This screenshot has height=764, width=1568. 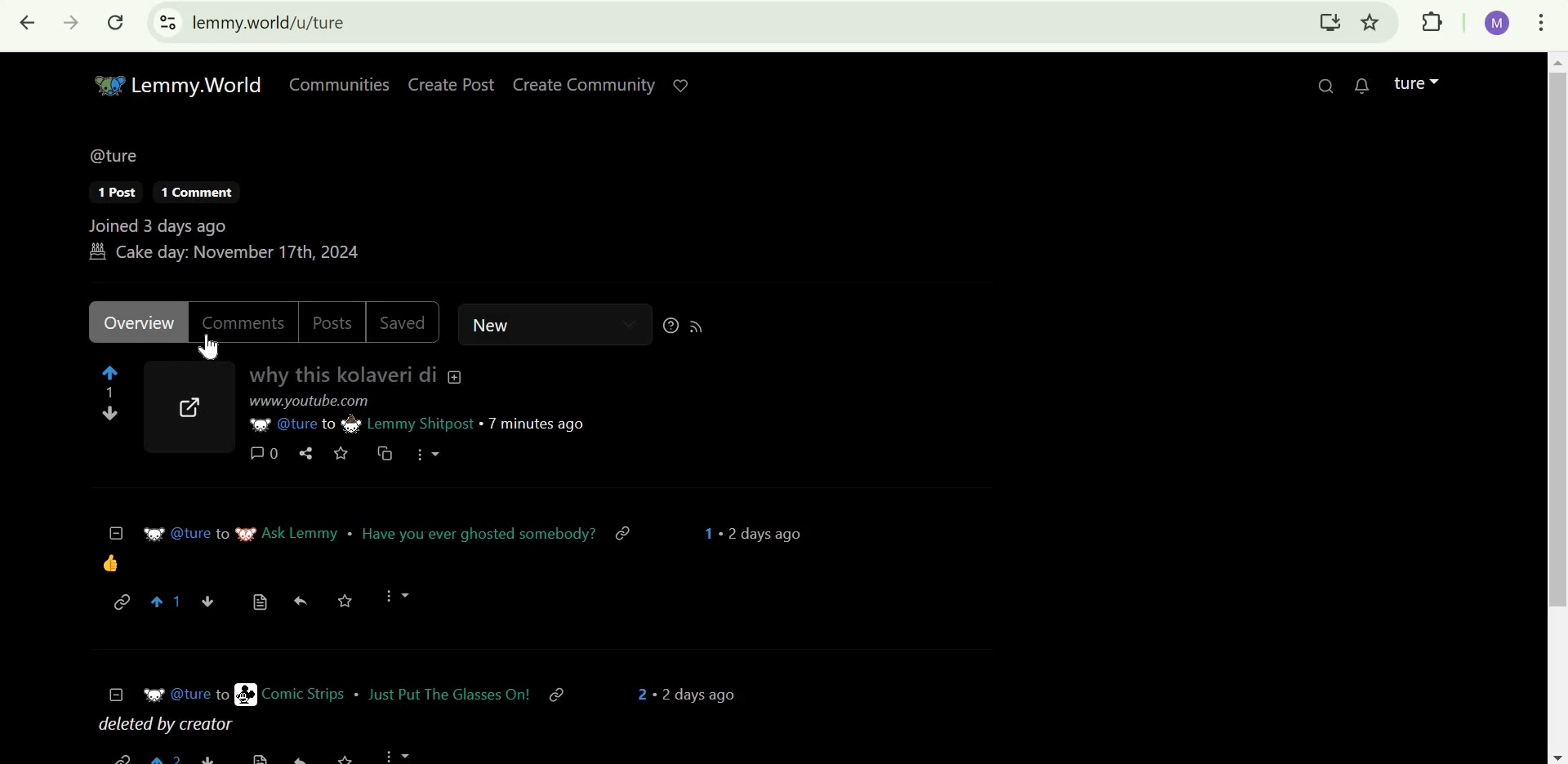 What do you see at coordinates (168, 22) in the screenshot?
I see `view site information` at bounding box center [168, 22].